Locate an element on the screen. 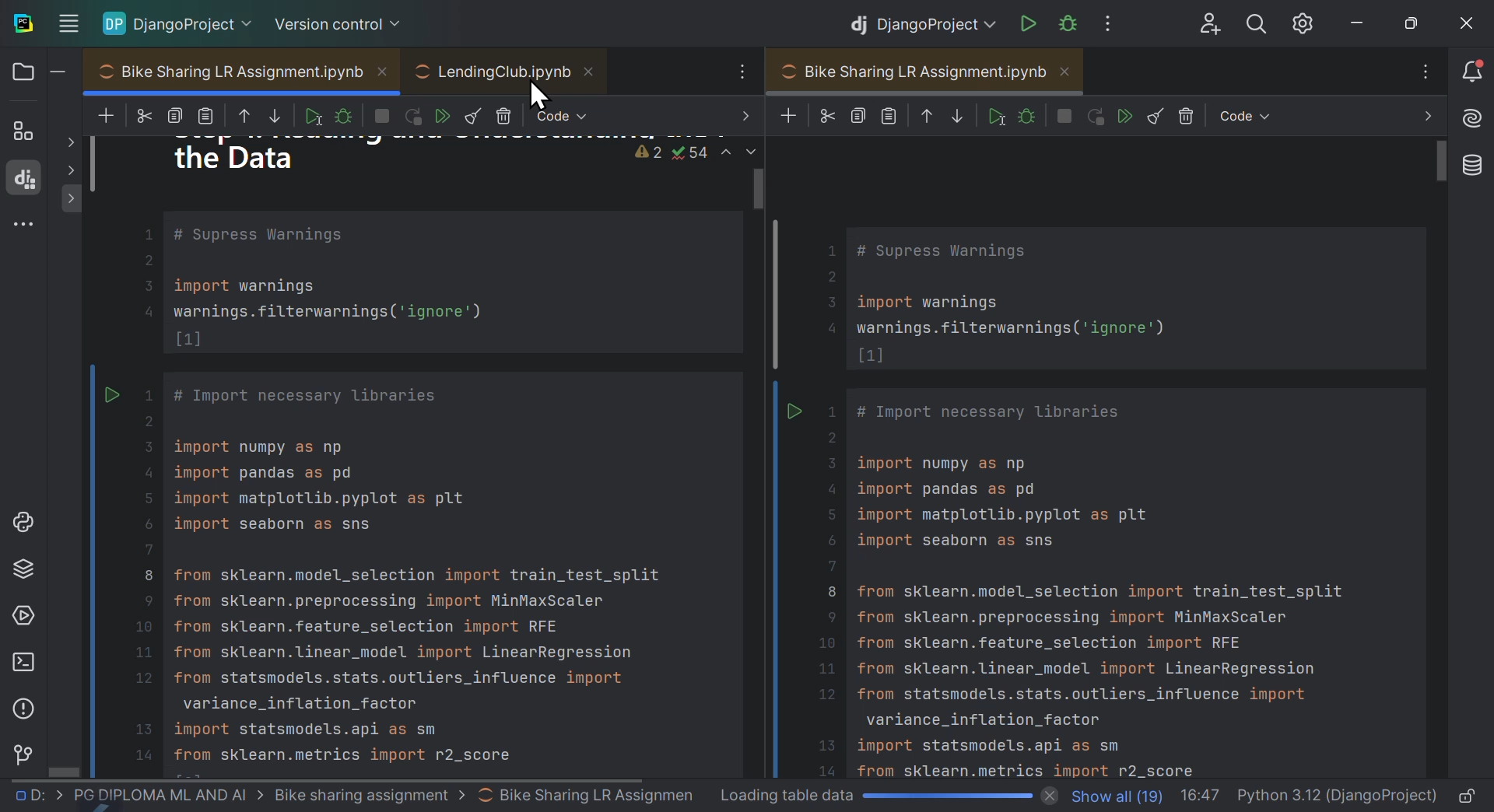  Cursor is located at coordinates (541, 97).